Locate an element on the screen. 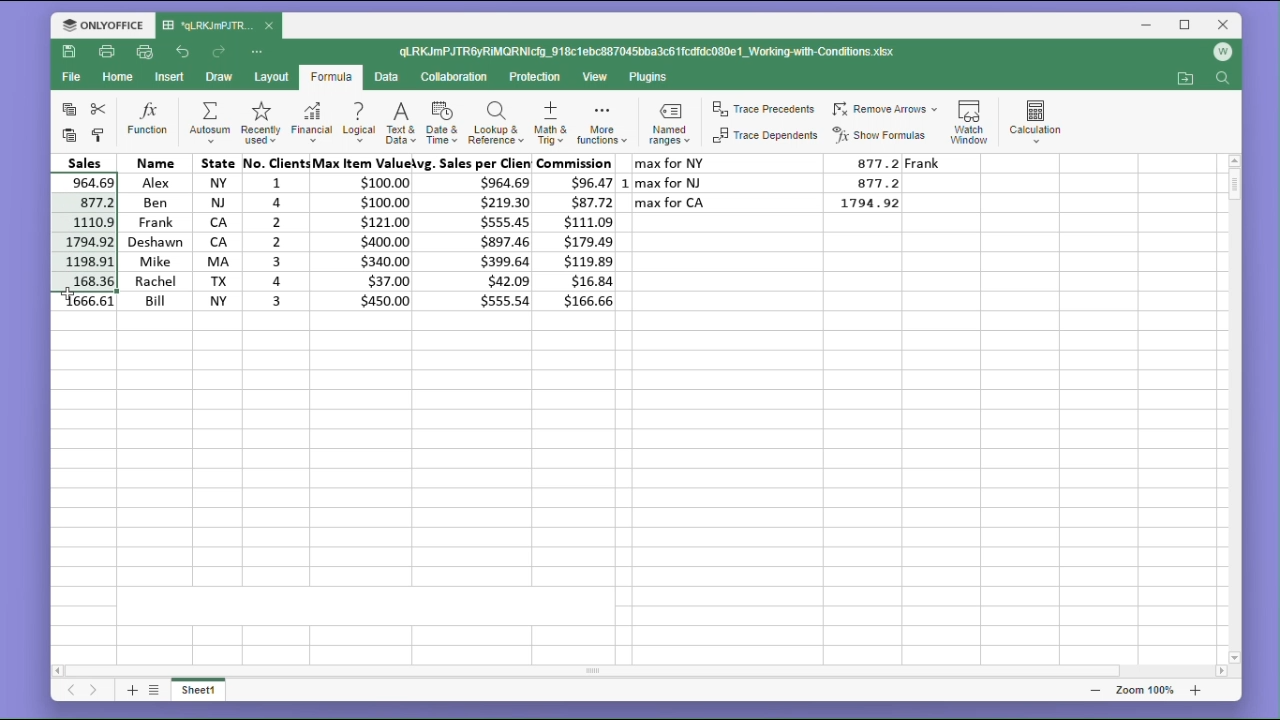 Image resolution: width=1280 pixels, height=720 pixels. currently selected cells is located at coordinates (85, 231).